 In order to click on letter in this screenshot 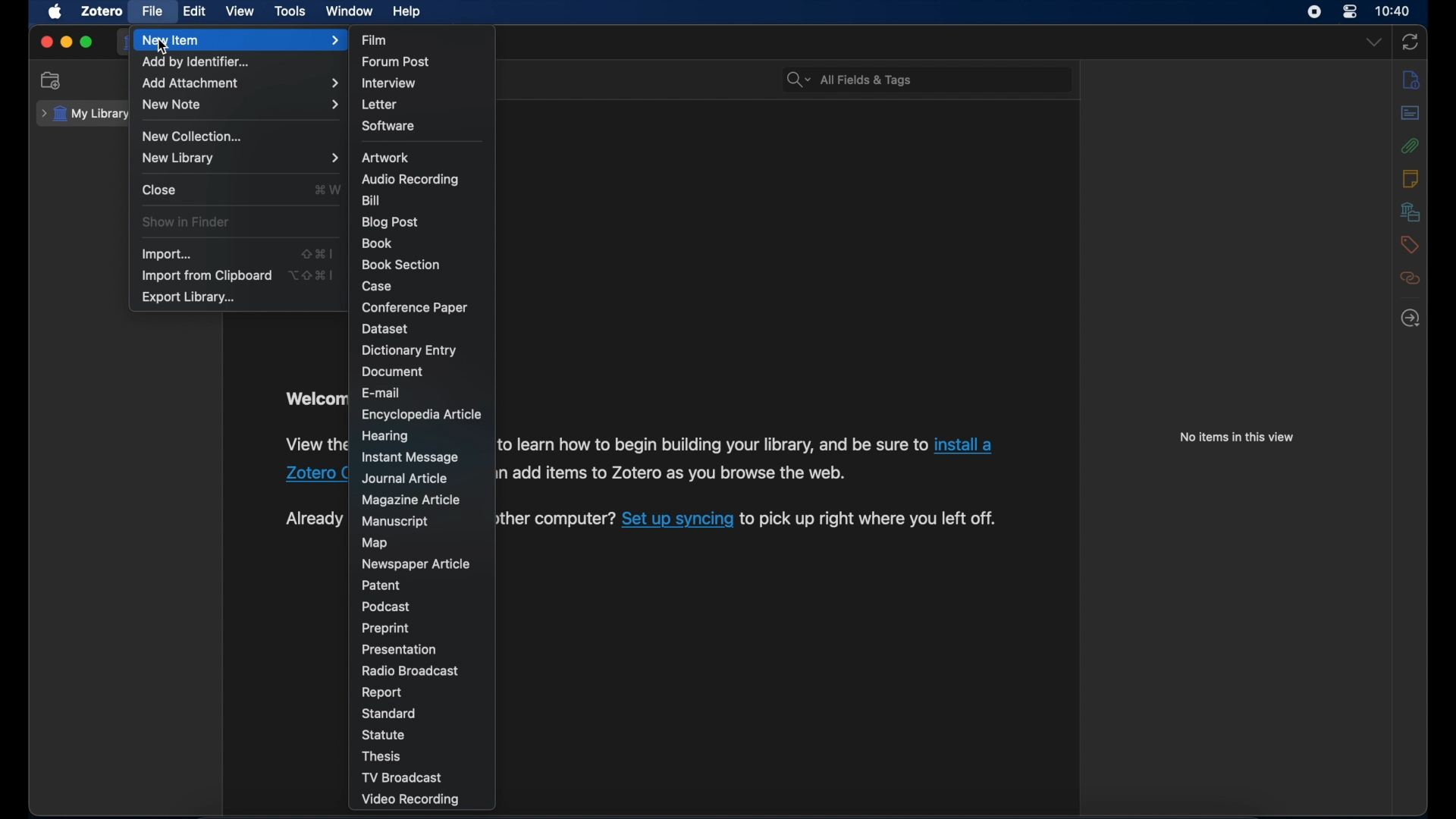, I will do `click(381, 105)`.